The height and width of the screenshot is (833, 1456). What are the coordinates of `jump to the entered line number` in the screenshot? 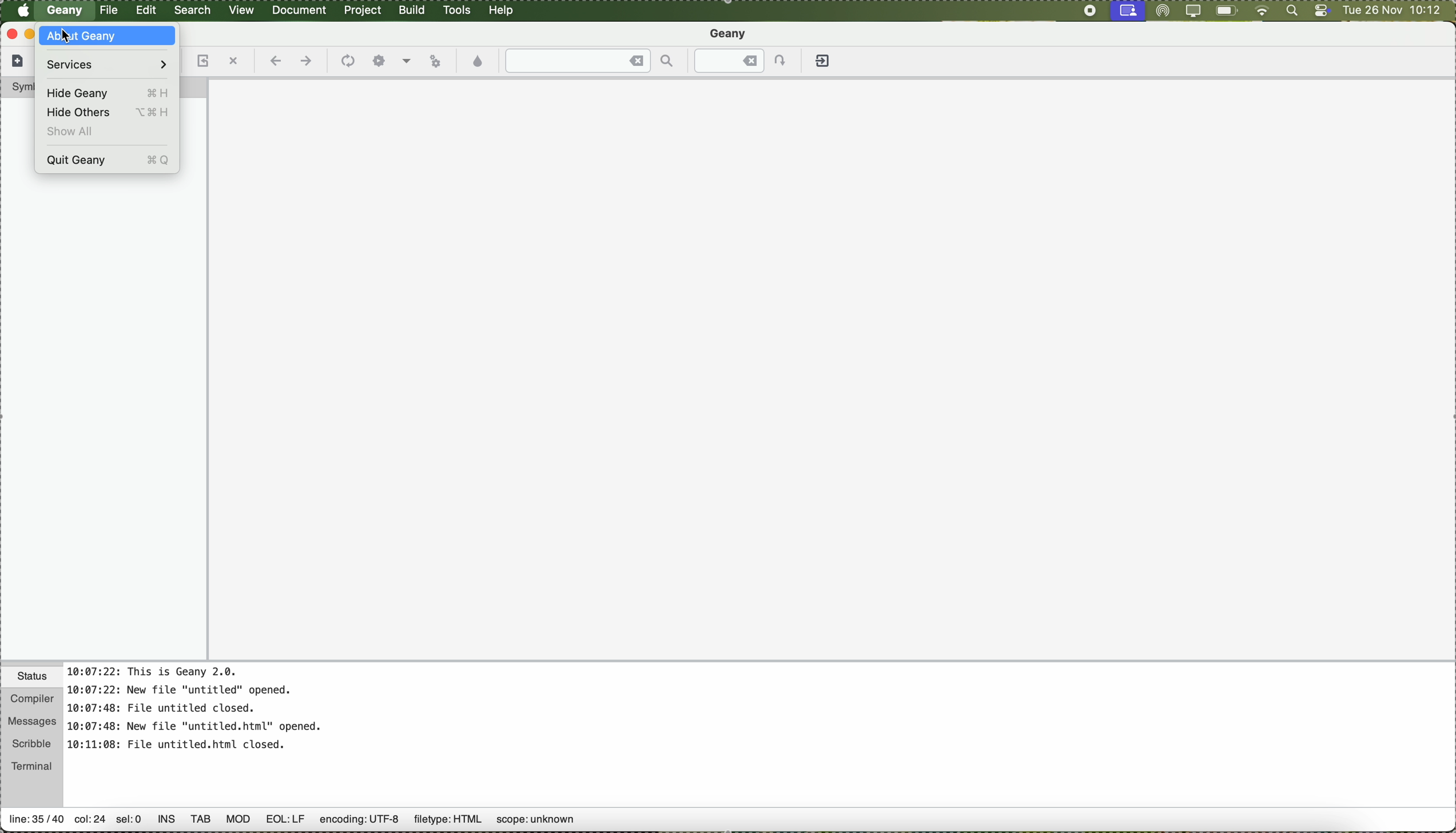 It's located at (742, 61).